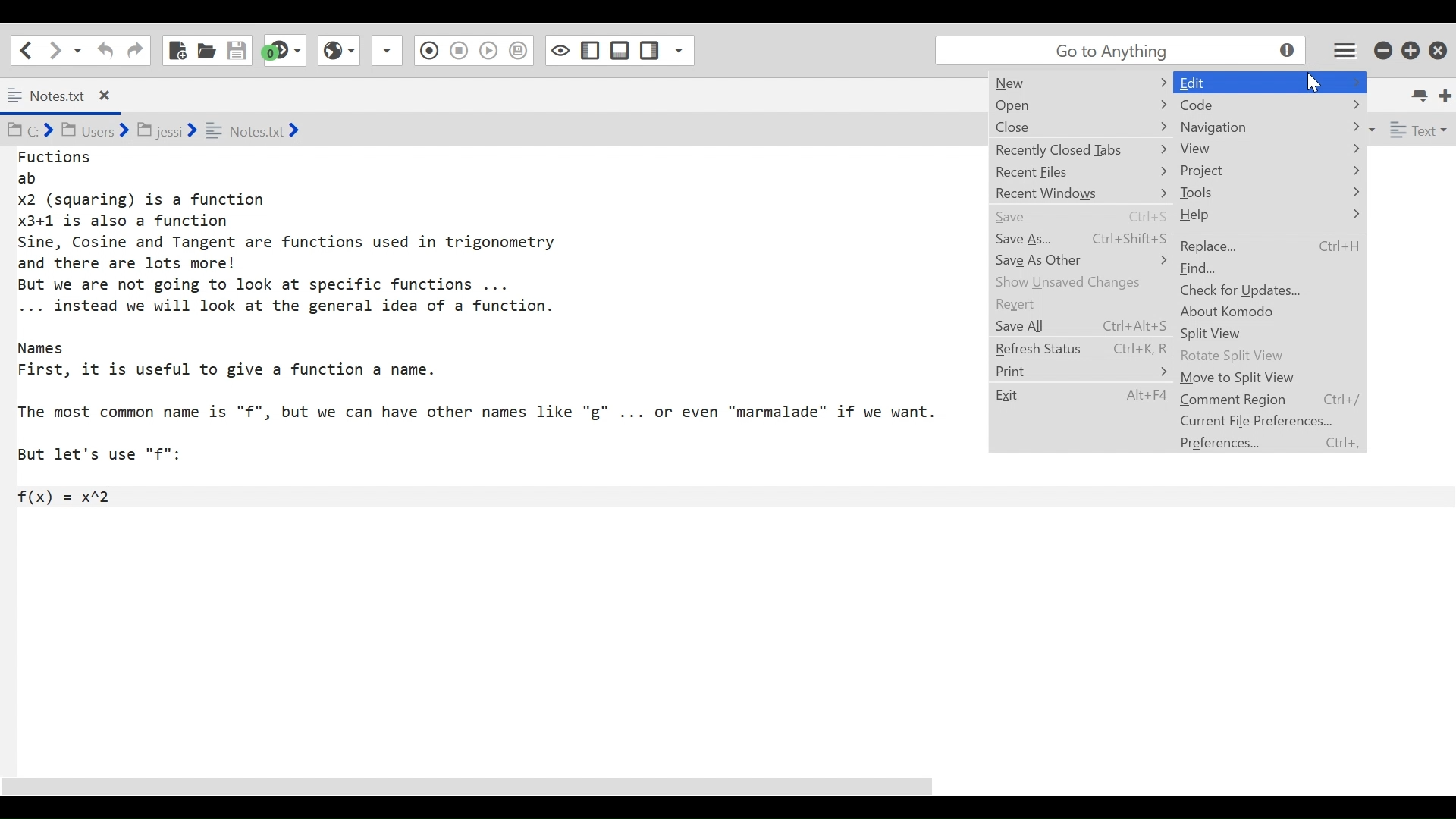  I want to click on Cd BY Users ¥ BJ jessi ¥ = Notesixt &, so click(185, 132).